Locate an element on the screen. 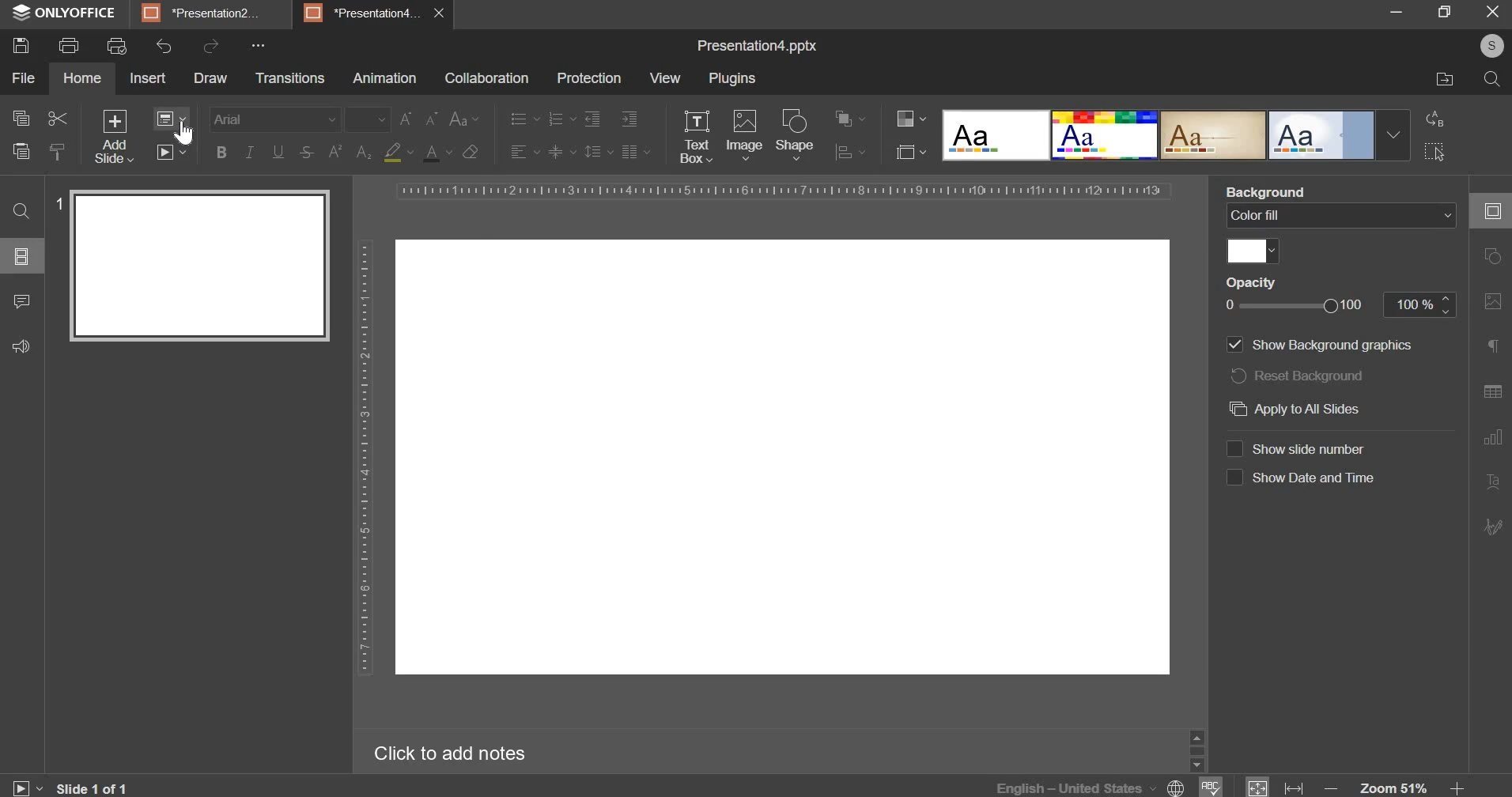  design is located at coordinates (1215, 136).